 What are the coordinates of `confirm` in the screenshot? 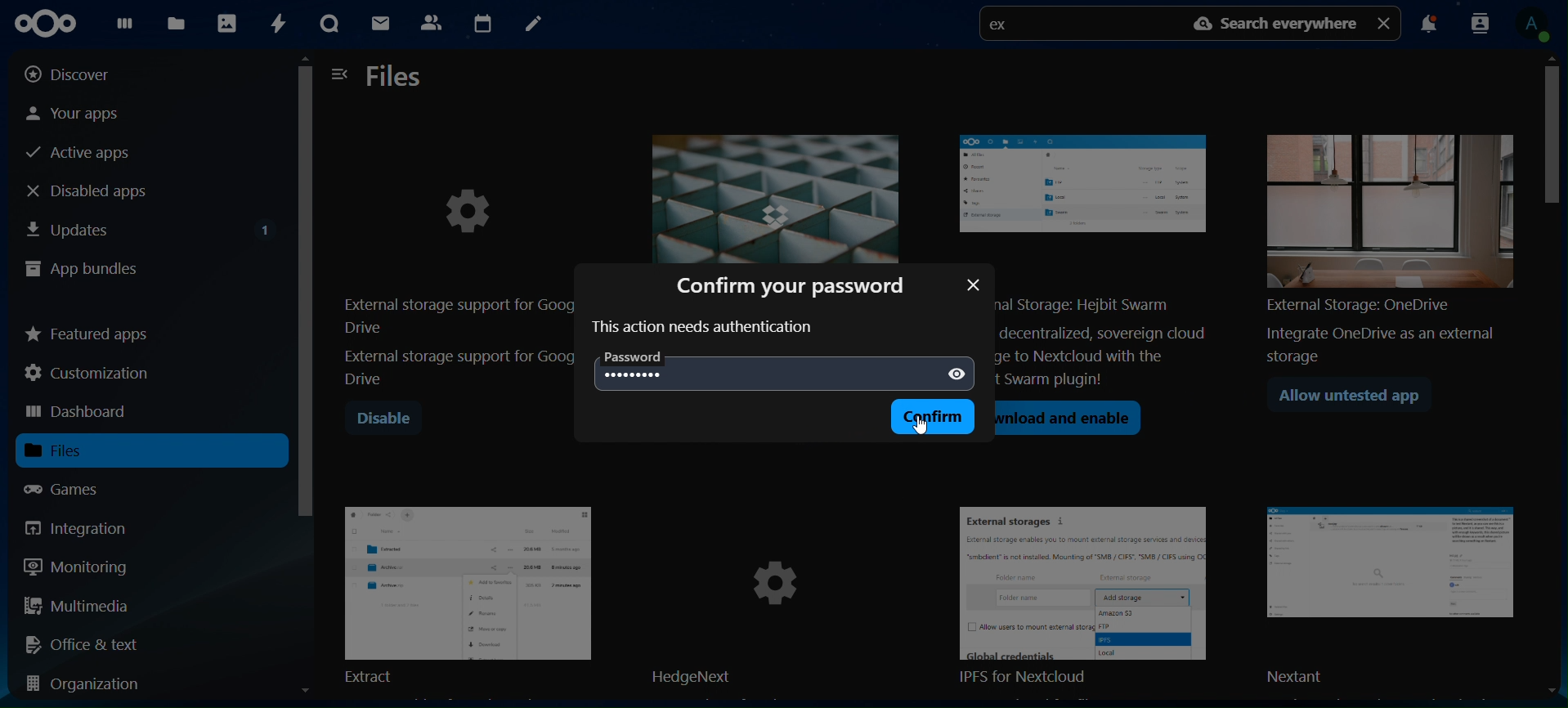 It's located at (936, 416).